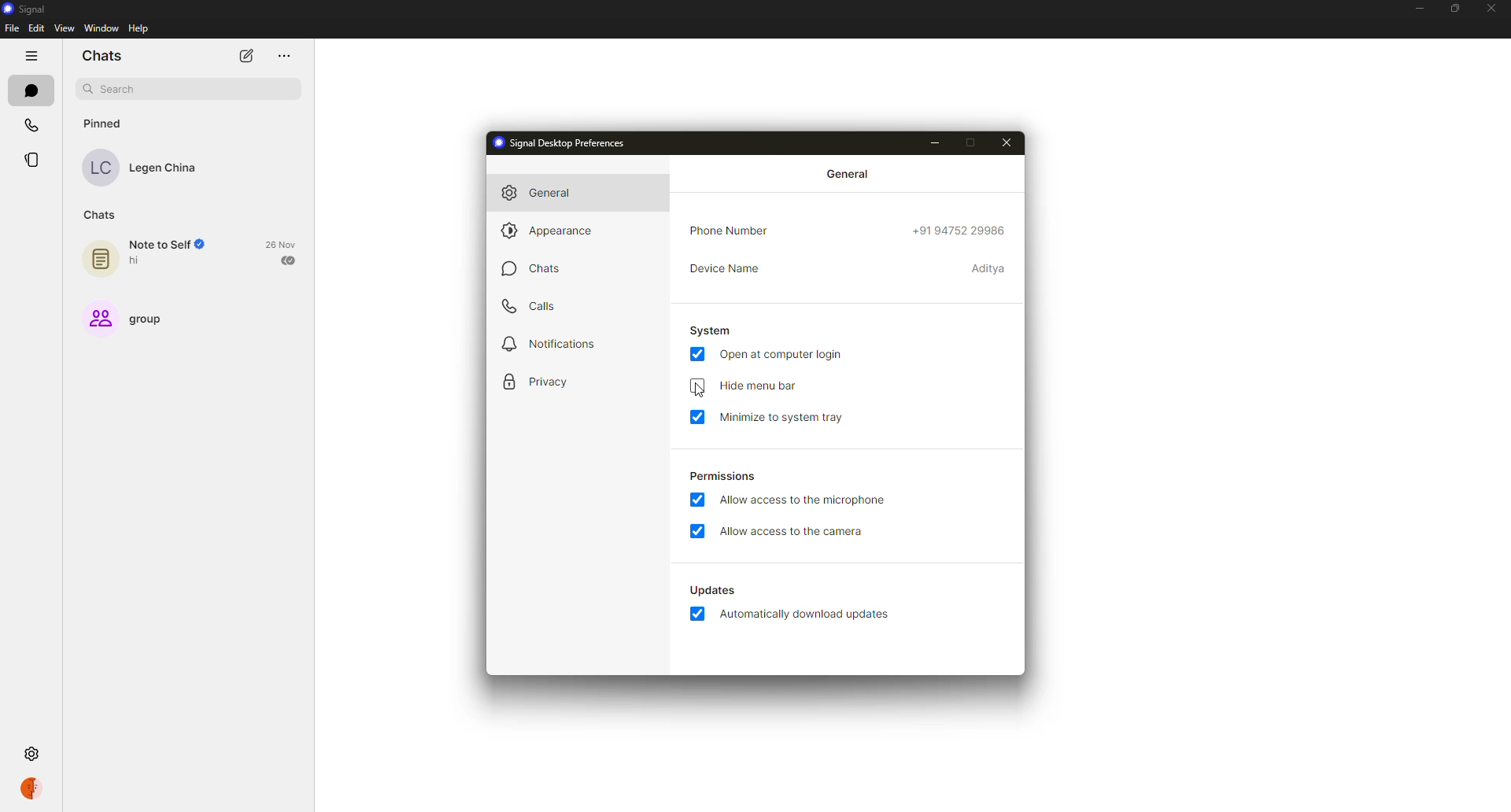 The width and height of the screenshot is (1511, 812). I want to click on chats, so click(29, 90).